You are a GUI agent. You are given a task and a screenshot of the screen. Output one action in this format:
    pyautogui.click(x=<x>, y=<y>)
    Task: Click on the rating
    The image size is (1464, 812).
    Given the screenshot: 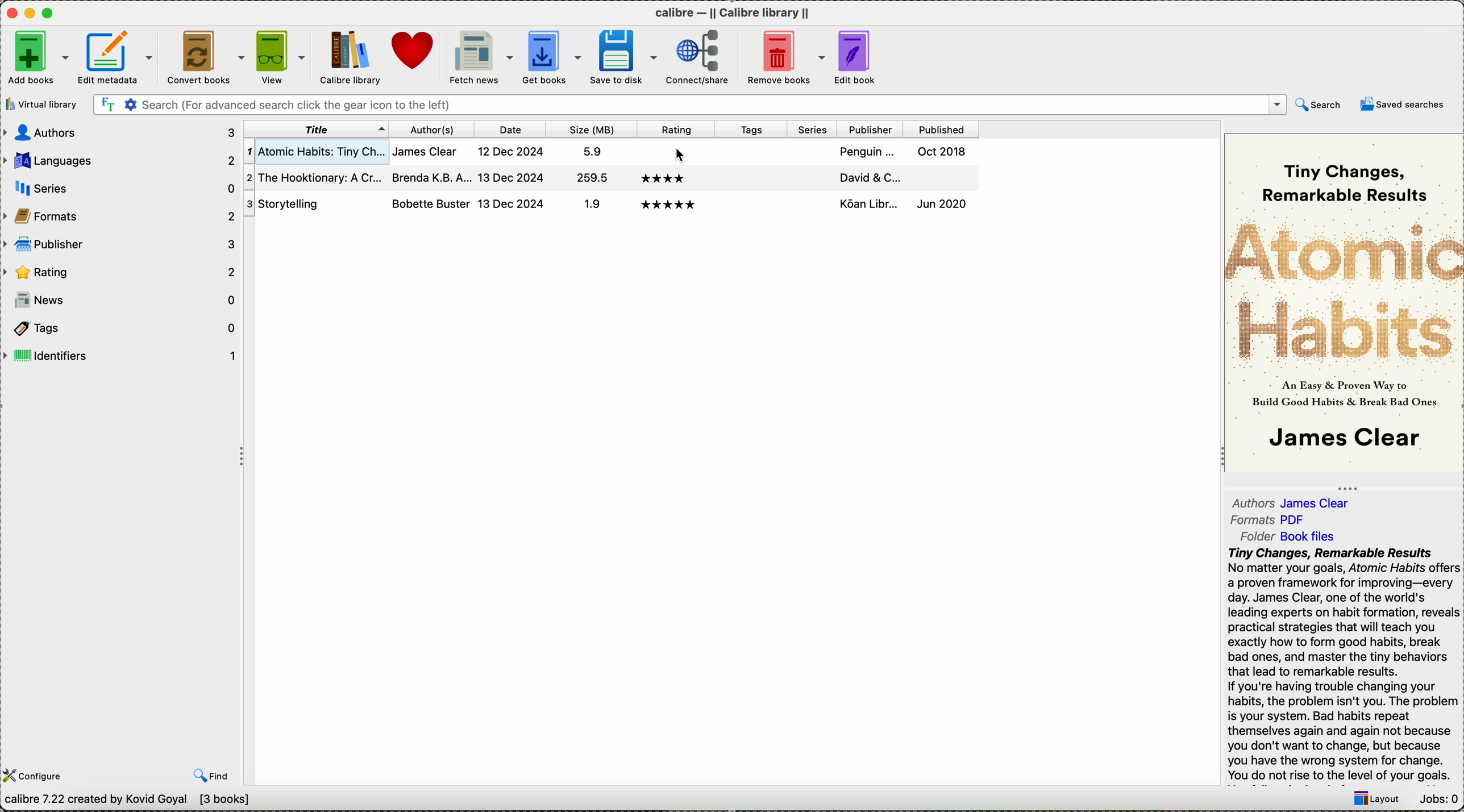 What is the action you would take?
    pyautogui.click(x=675, y=151)
    